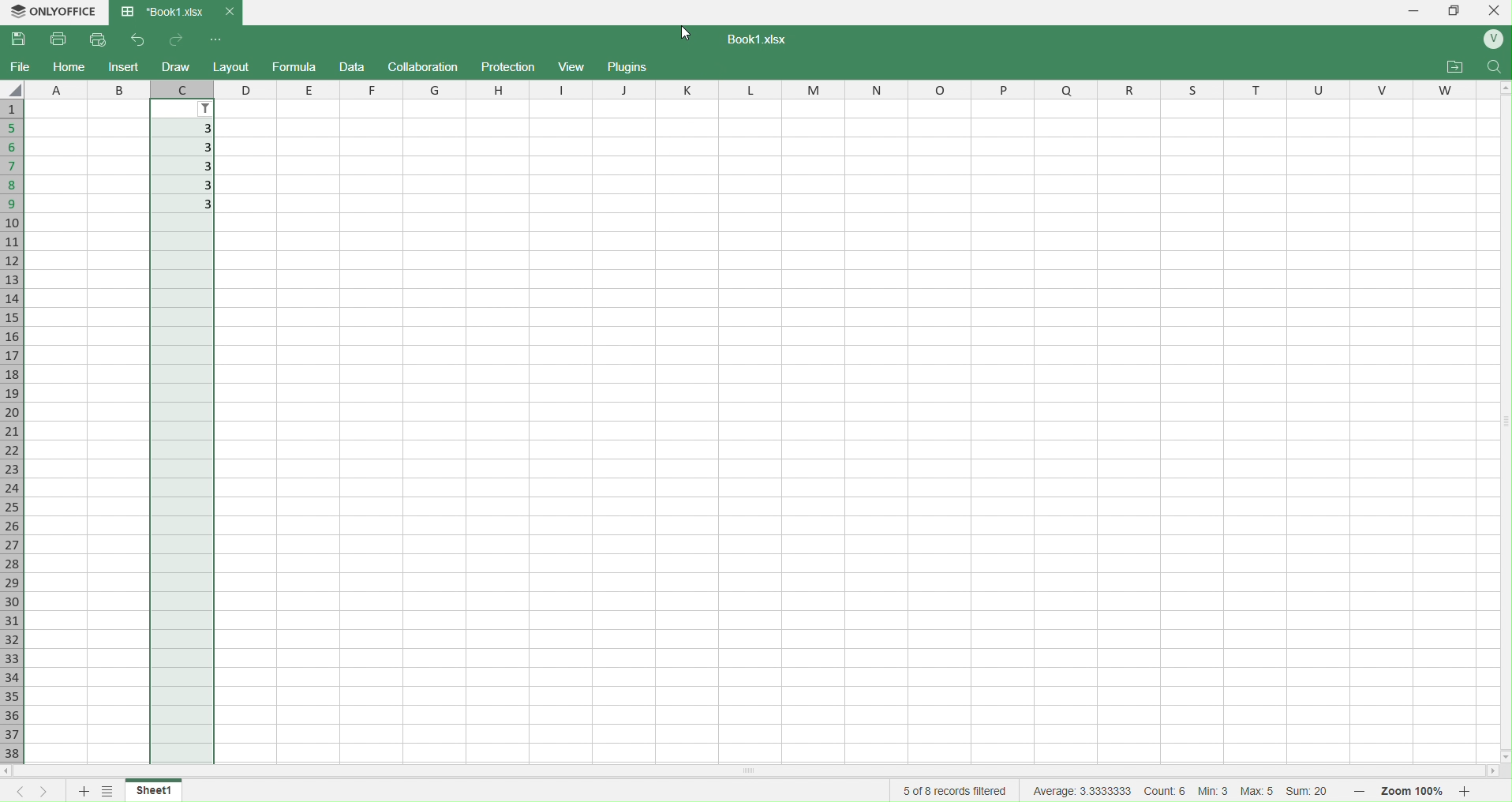 The height and width of the screenshot is (802, 1512). Describe the element at coordinates (182, 148) in the screenshot. I see `3` at that location.